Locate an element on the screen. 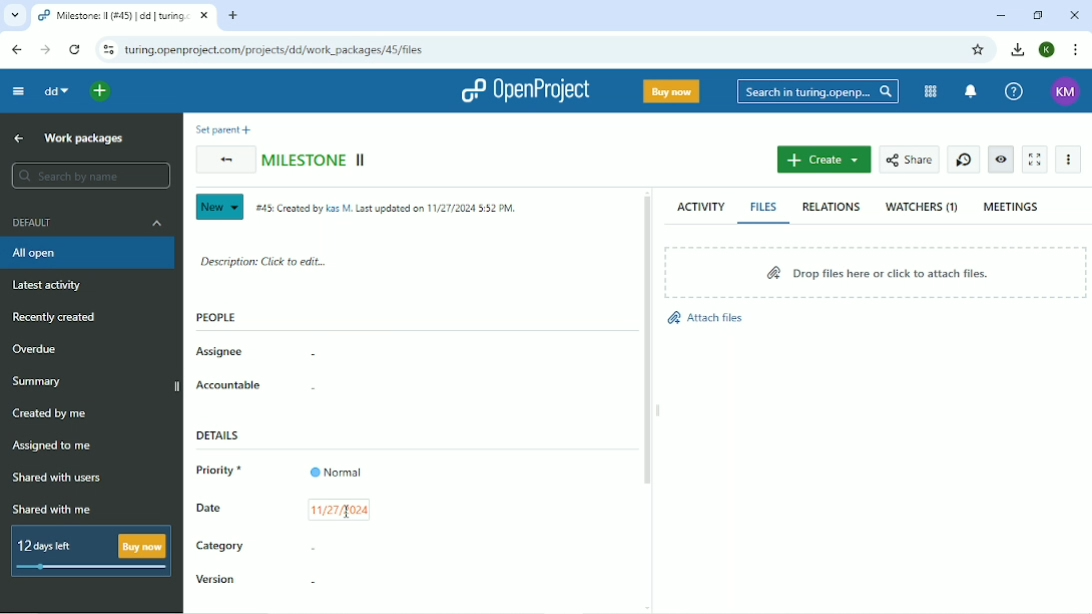  Close is located at coordinates (1075, 14).